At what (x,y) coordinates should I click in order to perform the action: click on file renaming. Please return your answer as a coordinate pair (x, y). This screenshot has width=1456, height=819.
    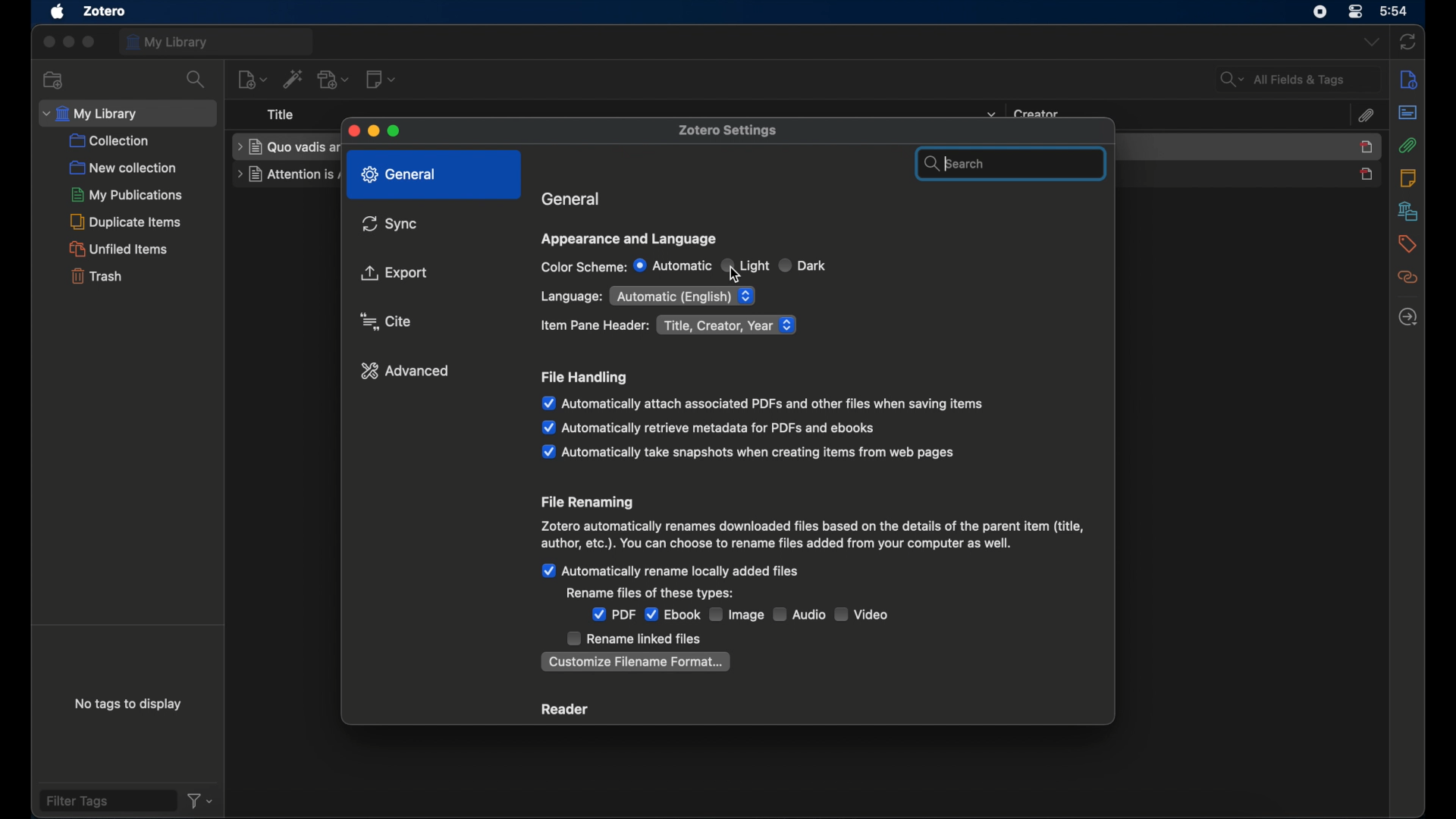
    Looking at the image, I should click on (589, 502).